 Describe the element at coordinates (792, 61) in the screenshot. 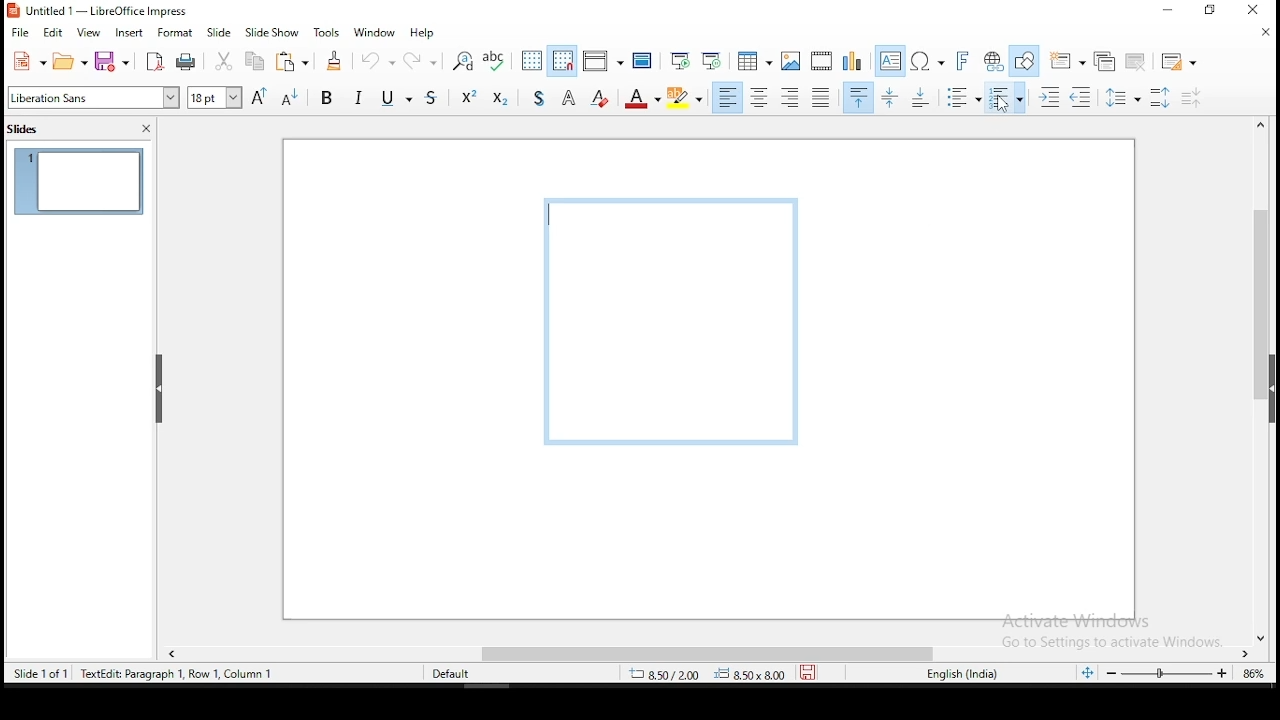

I see `insert image` at that location.